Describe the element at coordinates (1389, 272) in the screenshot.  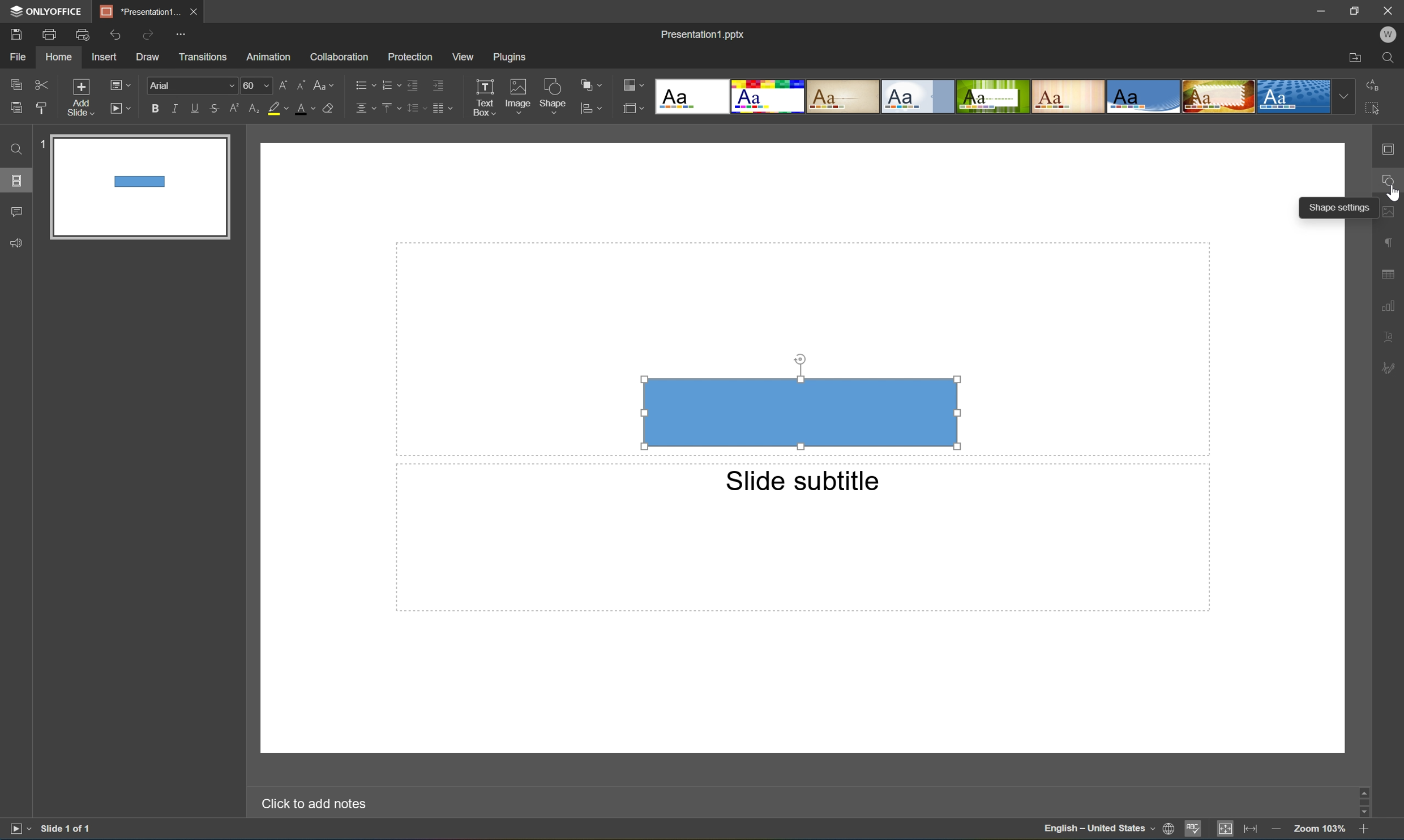
I see `table settings` at that location.